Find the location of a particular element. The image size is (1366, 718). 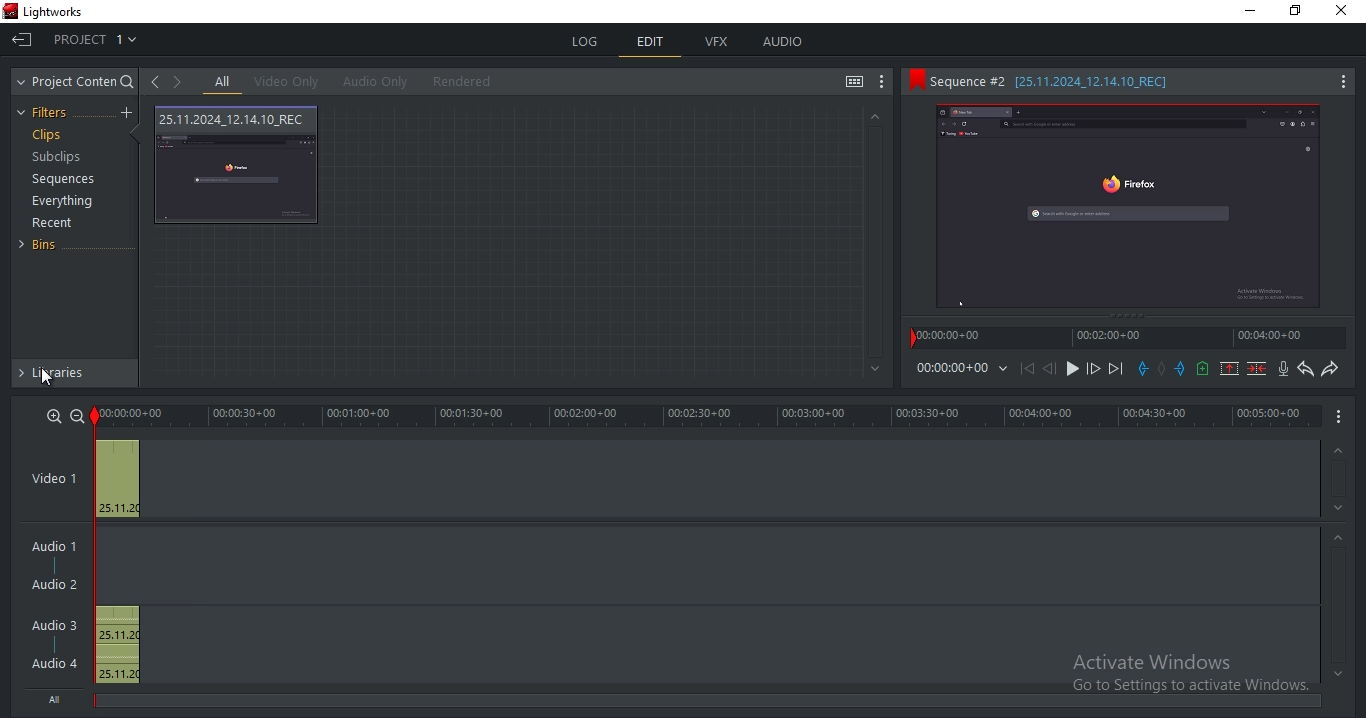

all is located at coordinates (57, 698).